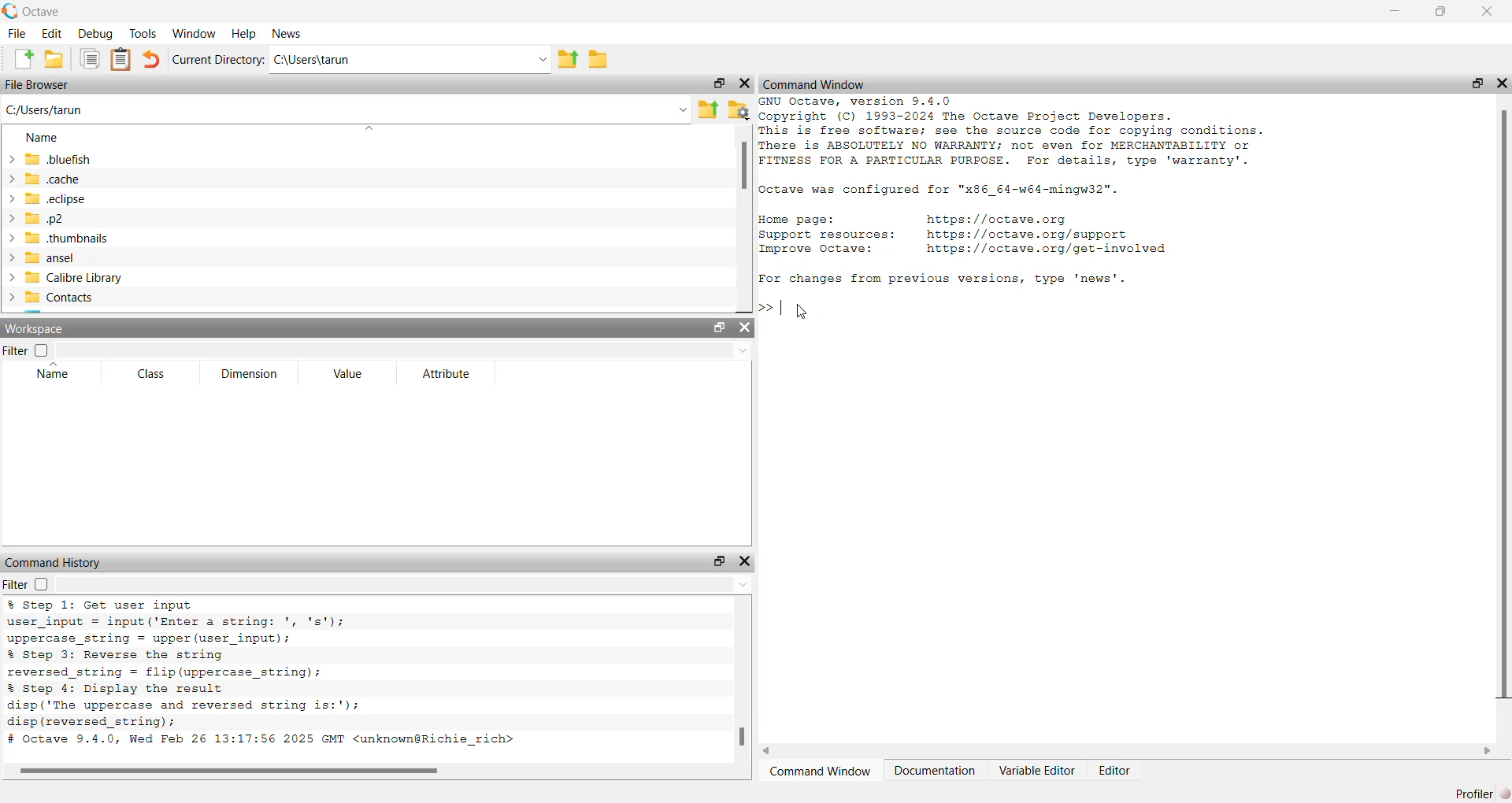 This screenshot has width=1512, height=803. What do you see at coordinates (72, 259) in the screenshot?
I see `ansel` at bounding box center [72, 259].